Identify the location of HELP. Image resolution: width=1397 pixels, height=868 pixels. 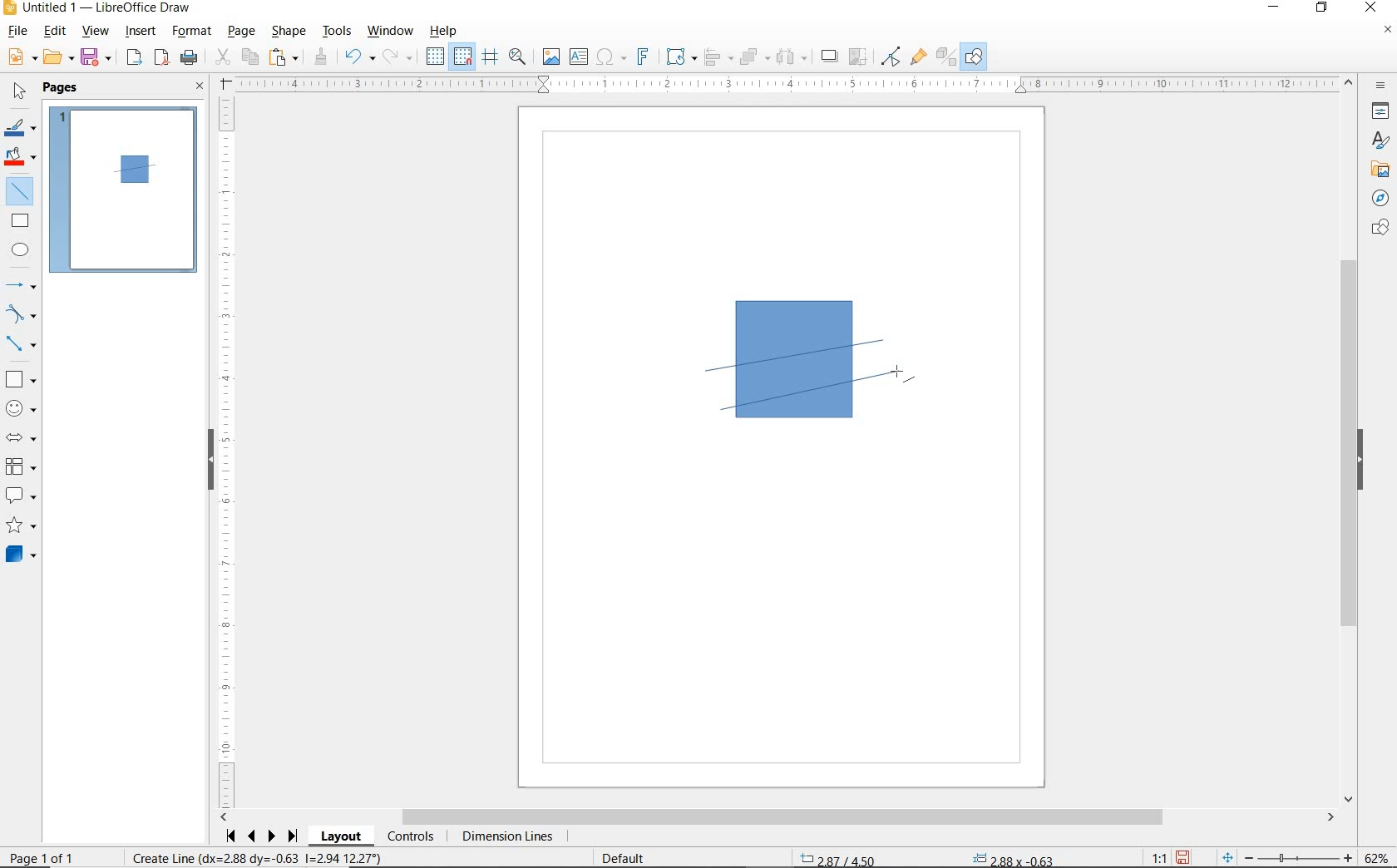
(447, 31).